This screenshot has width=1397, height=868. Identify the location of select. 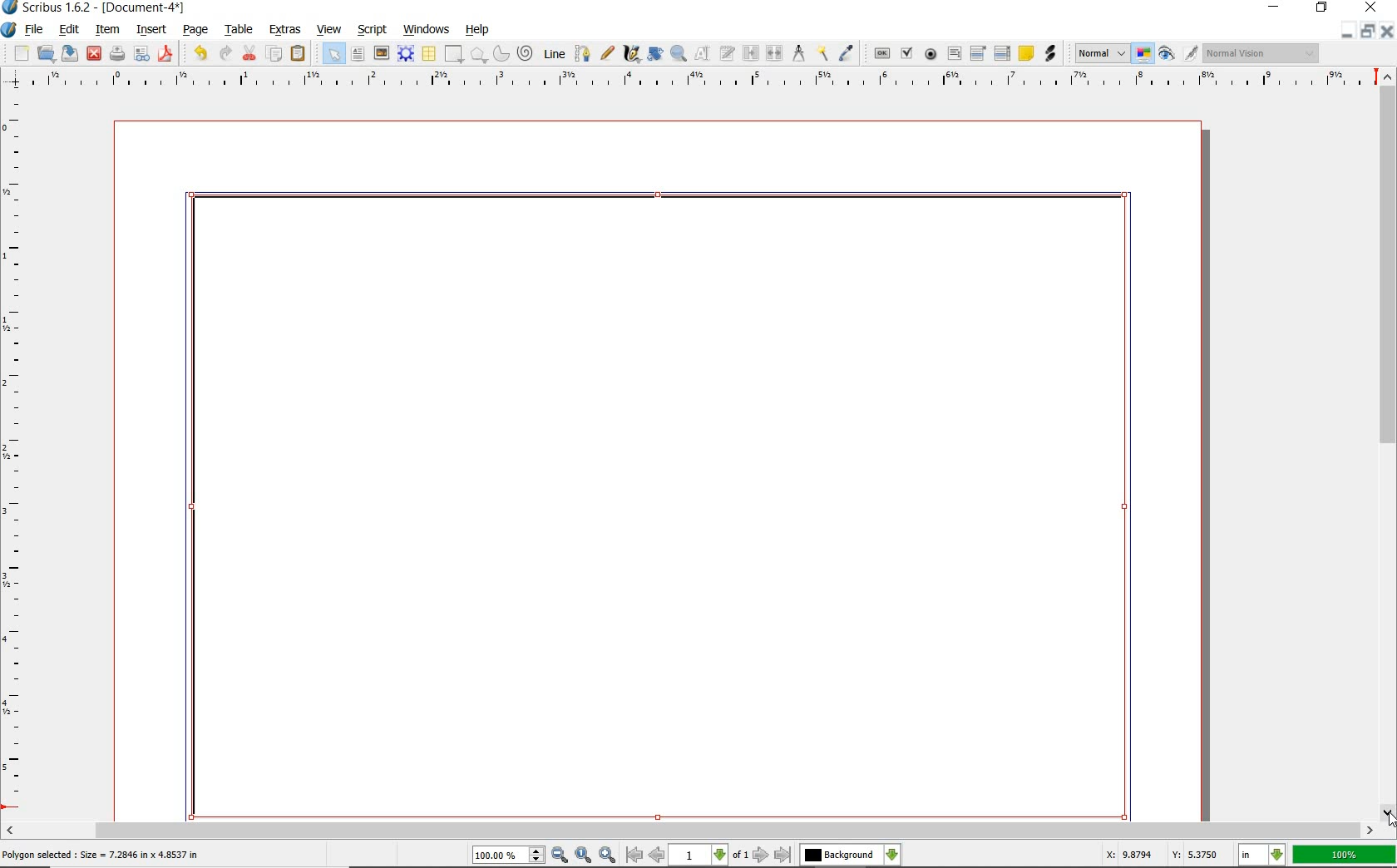
(332, 52).